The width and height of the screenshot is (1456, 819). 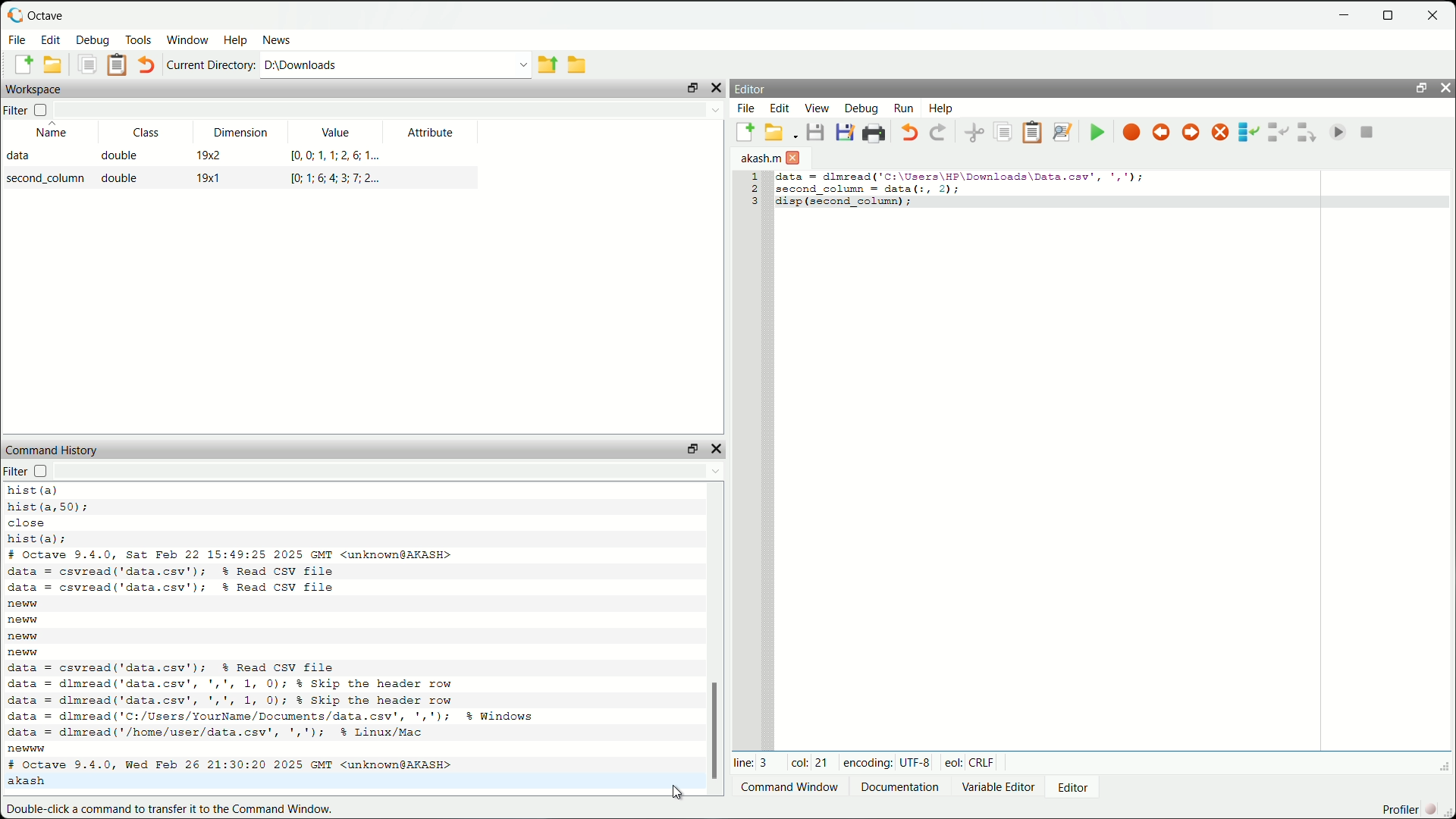 I want to click on run, so click(x=901, y=108).